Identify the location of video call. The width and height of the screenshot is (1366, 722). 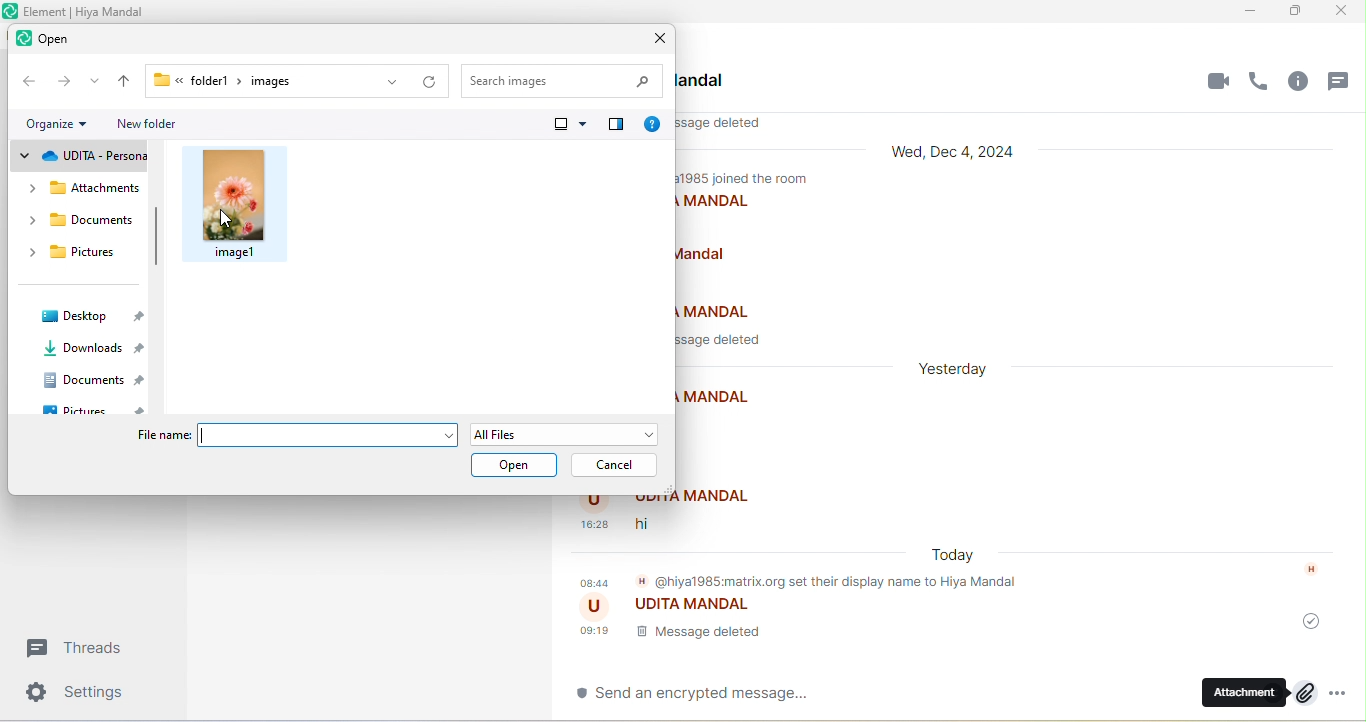
(1217, 81).